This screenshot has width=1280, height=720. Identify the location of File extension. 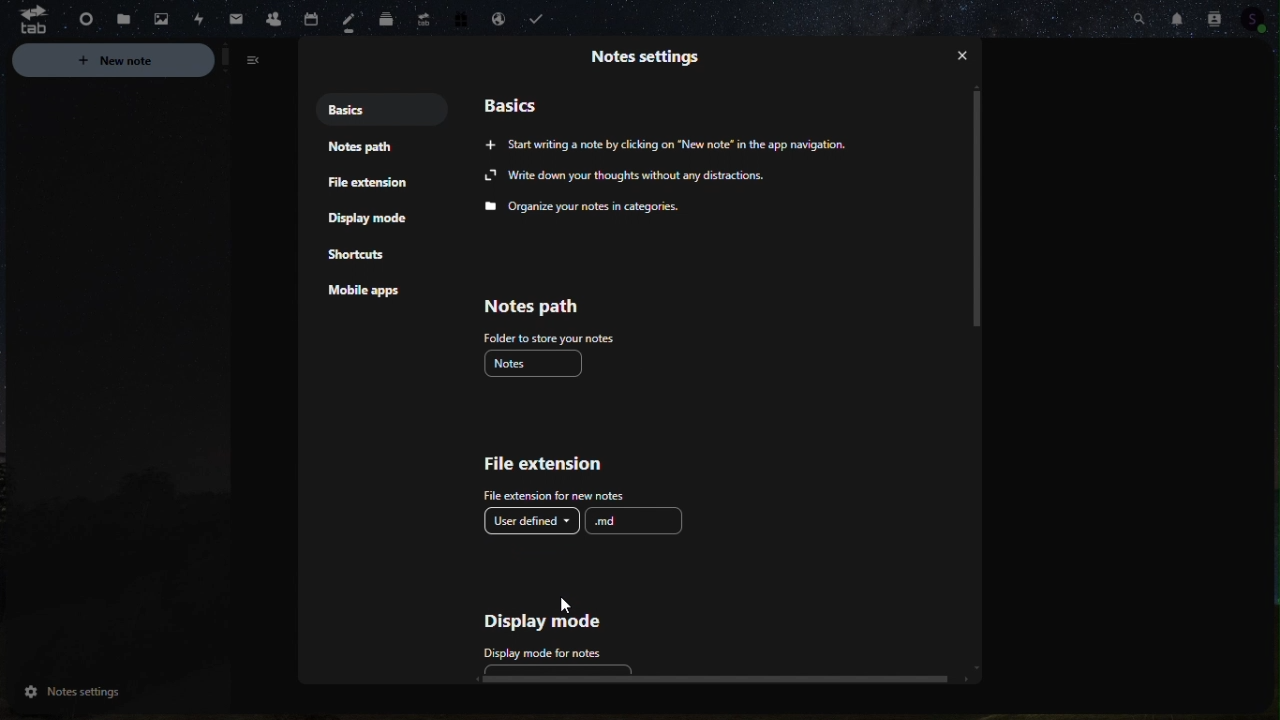
(371, 184).